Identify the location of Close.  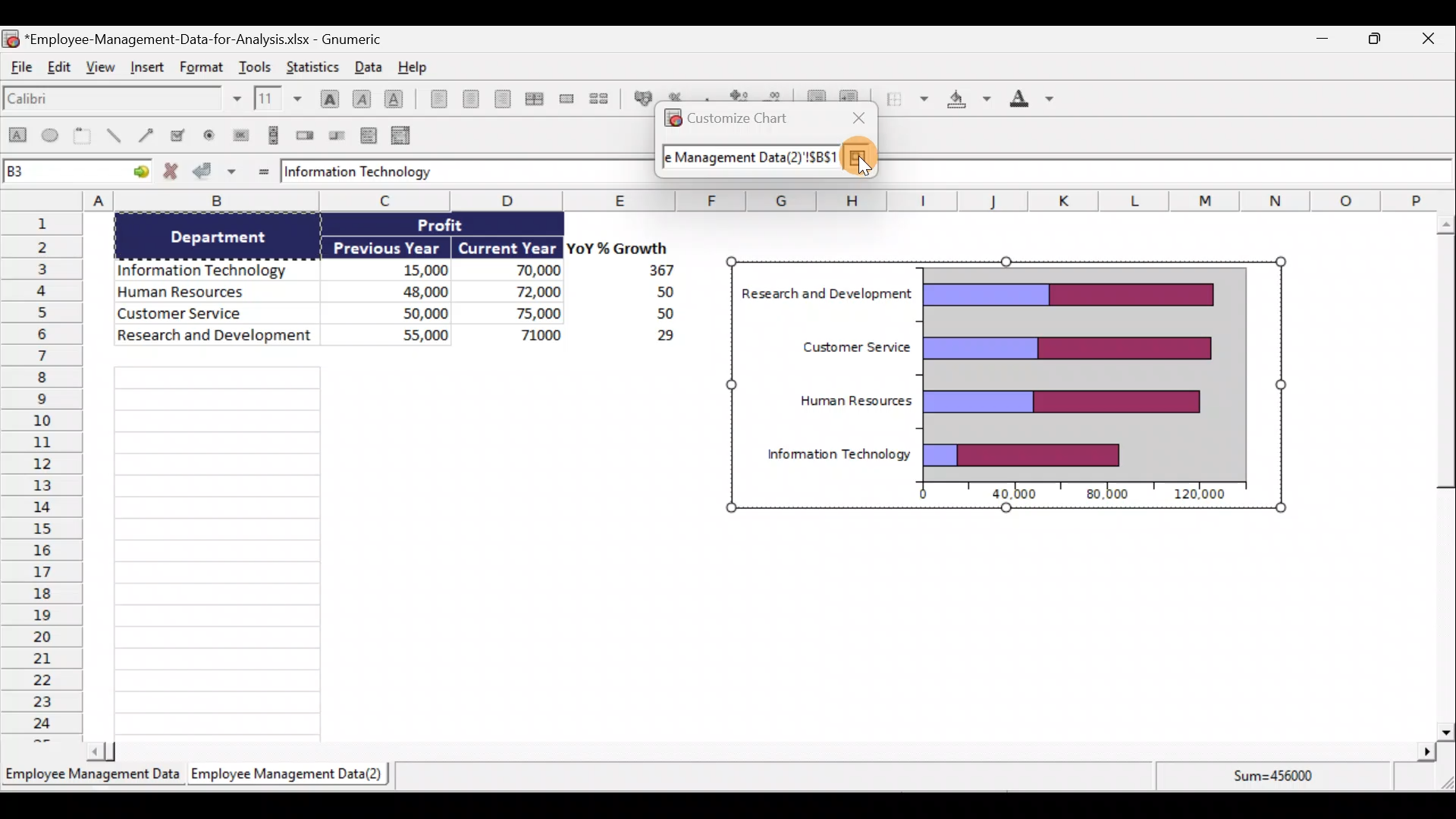
(1432, 39).